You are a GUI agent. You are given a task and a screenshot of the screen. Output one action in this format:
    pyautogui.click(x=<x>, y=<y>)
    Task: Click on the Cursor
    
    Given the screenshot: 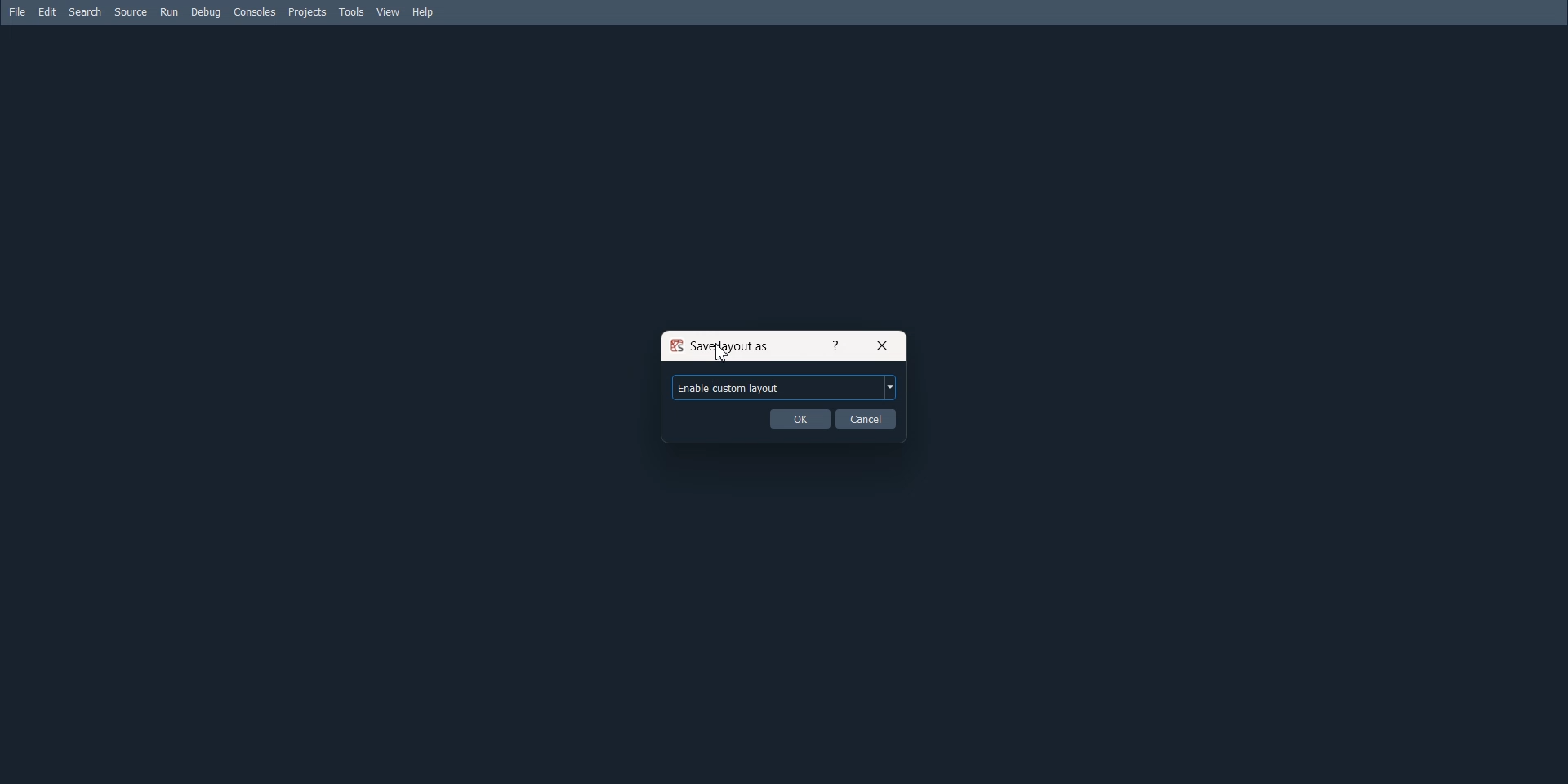 What is the action you would take?
    pyautogui.click(x=724, y=352)
    